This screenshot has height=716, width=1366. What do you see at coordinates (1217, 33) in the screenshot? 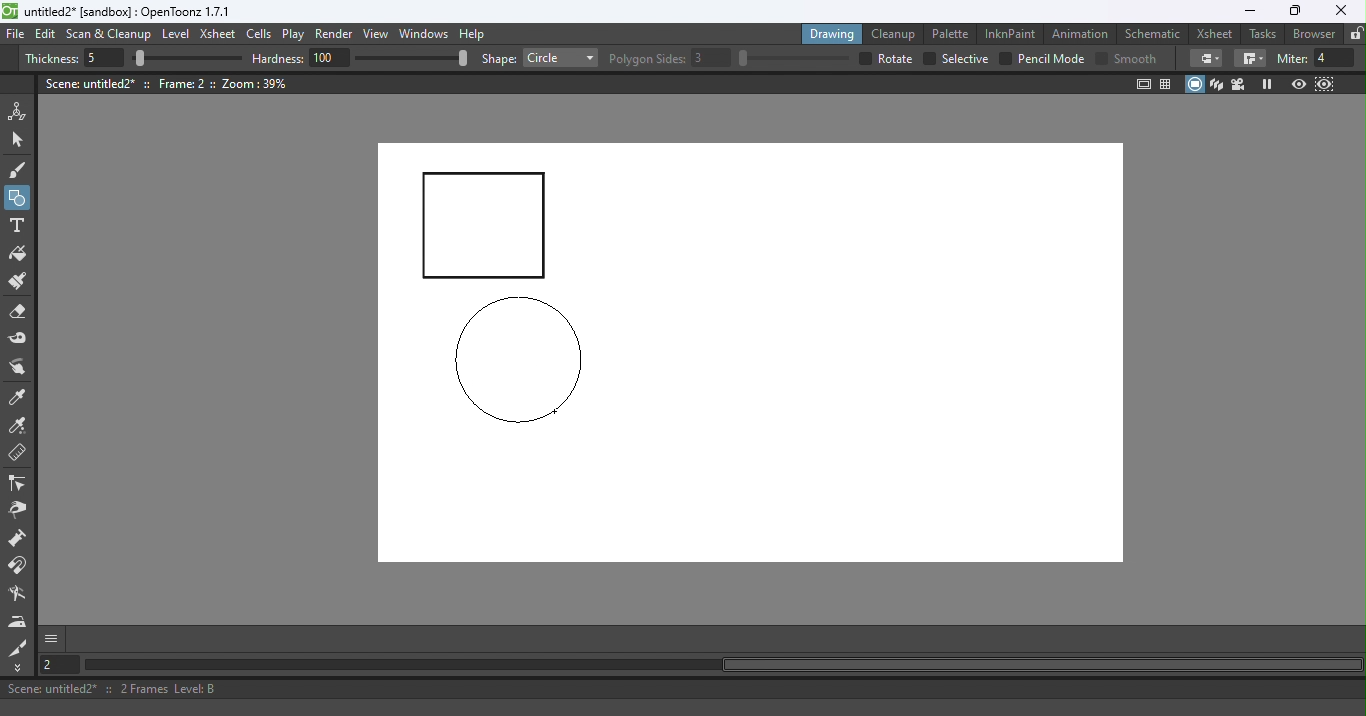
I see `Xsheet` at bounding box center [1217, 33].